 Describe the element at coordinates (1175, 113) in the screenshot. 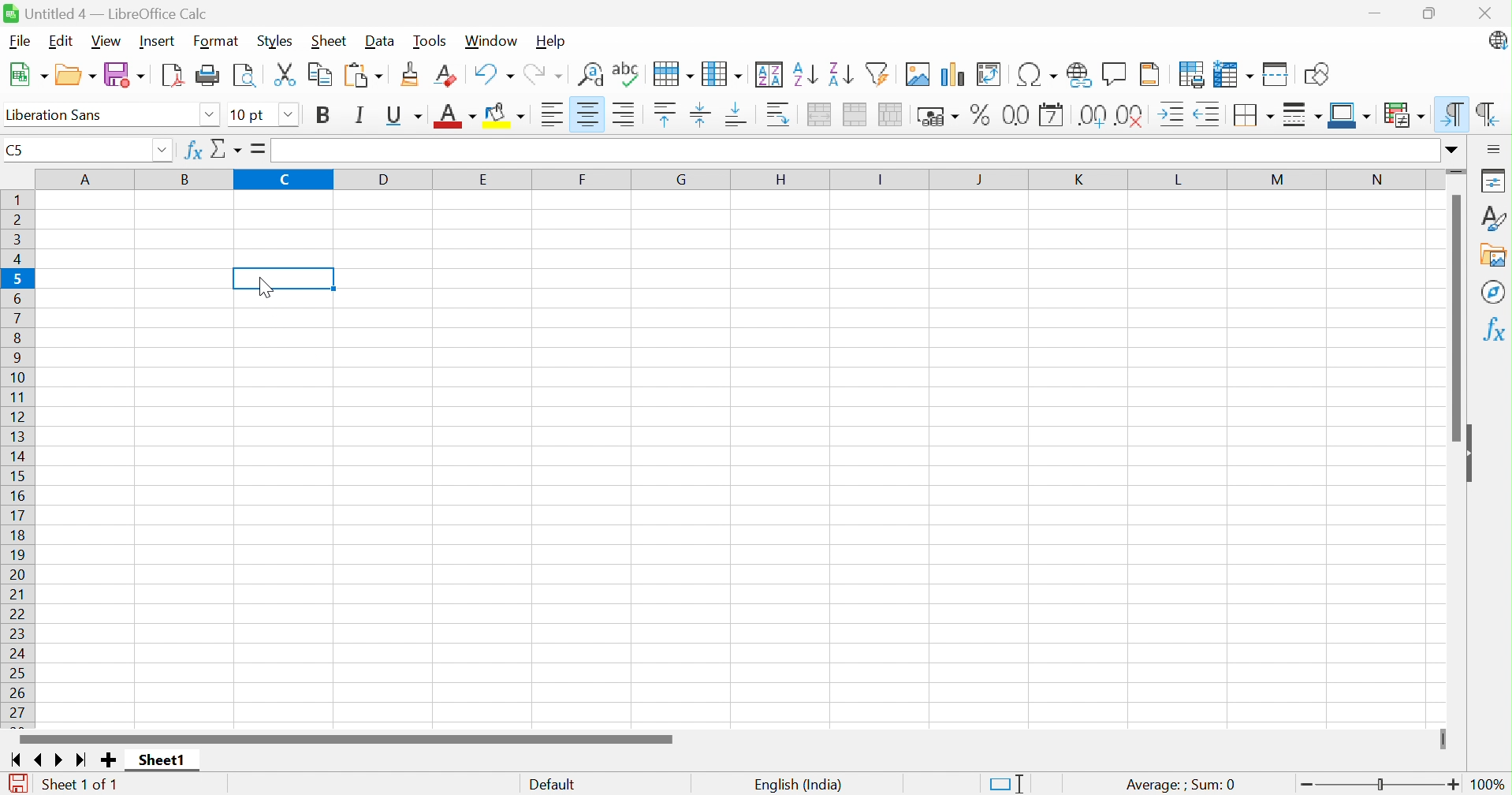

I see `Increase Indent` at that location.